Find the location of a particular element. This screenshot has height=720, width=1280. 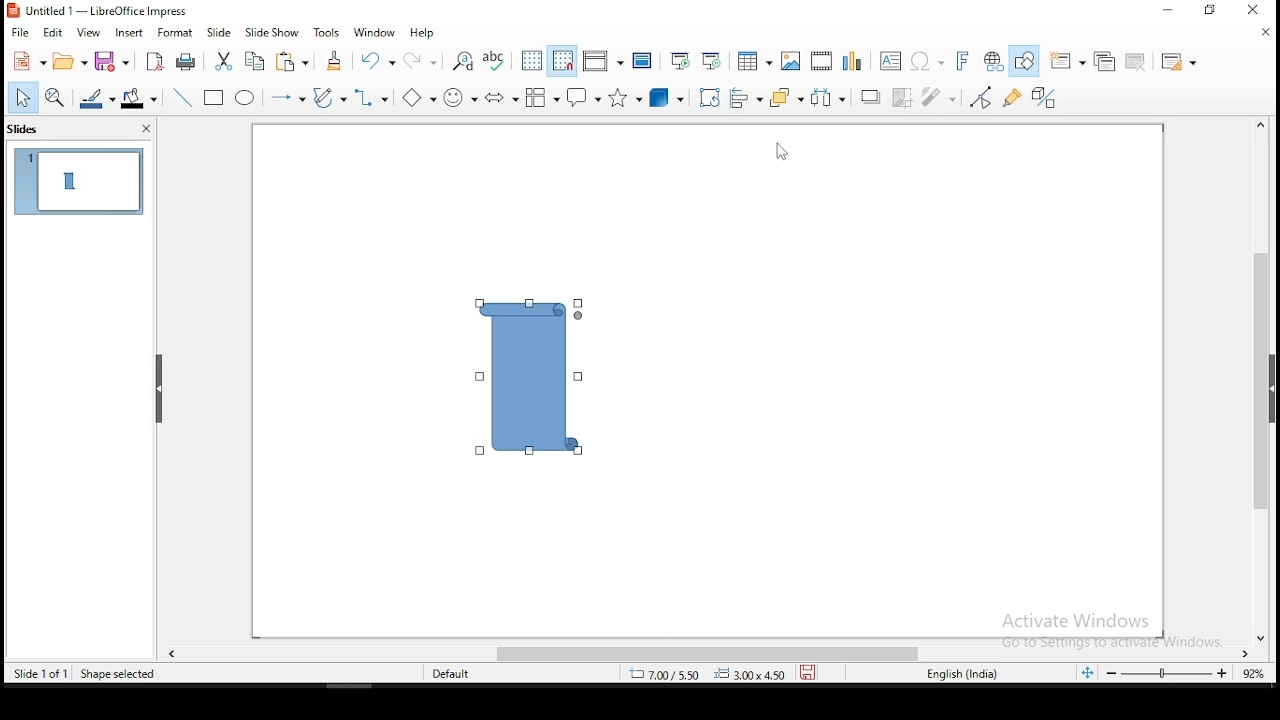

table is located at coordinates (754, 60).